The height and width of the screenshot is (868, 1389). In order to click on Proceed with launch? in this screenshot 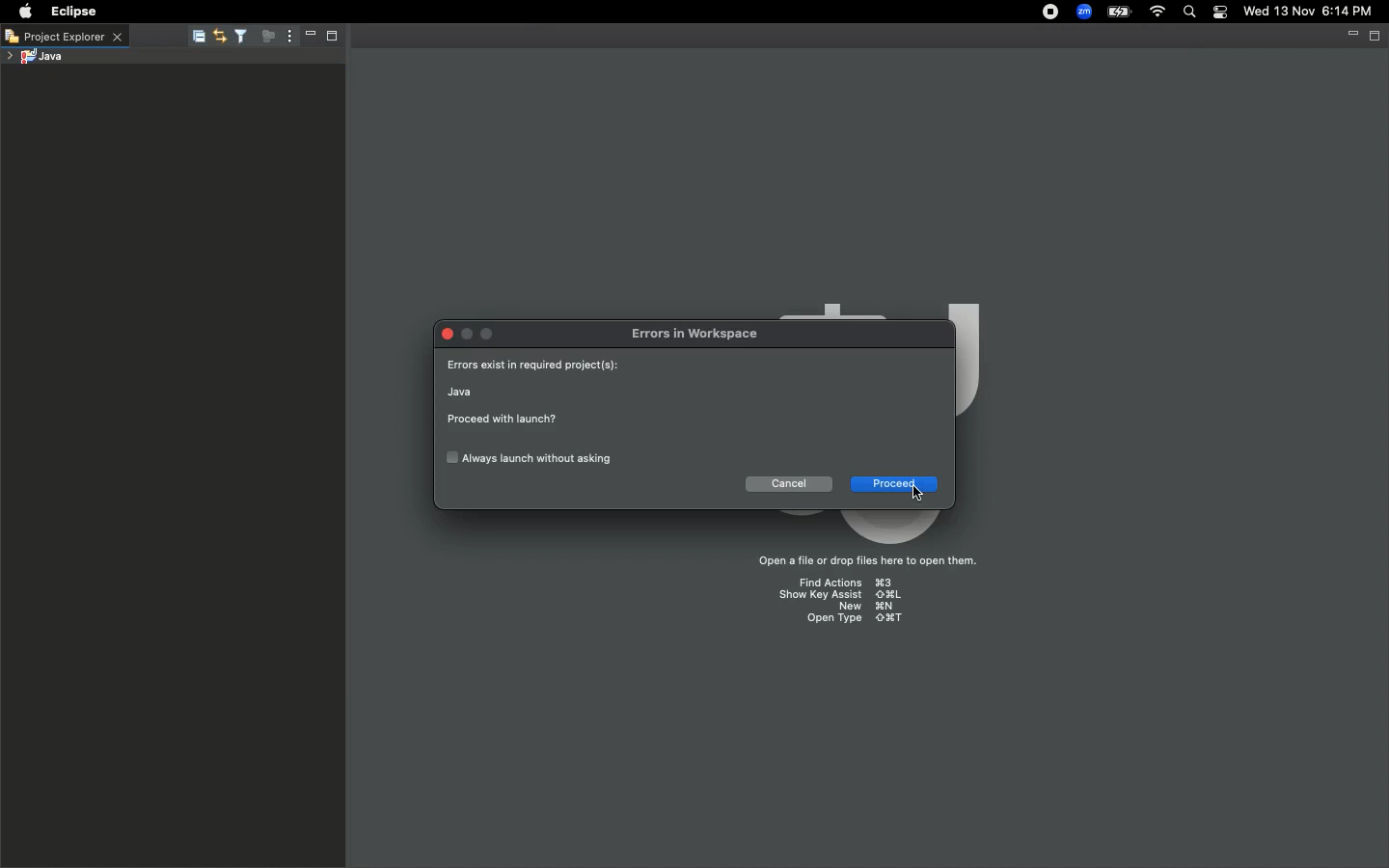, I will do `click(502, 420)`.